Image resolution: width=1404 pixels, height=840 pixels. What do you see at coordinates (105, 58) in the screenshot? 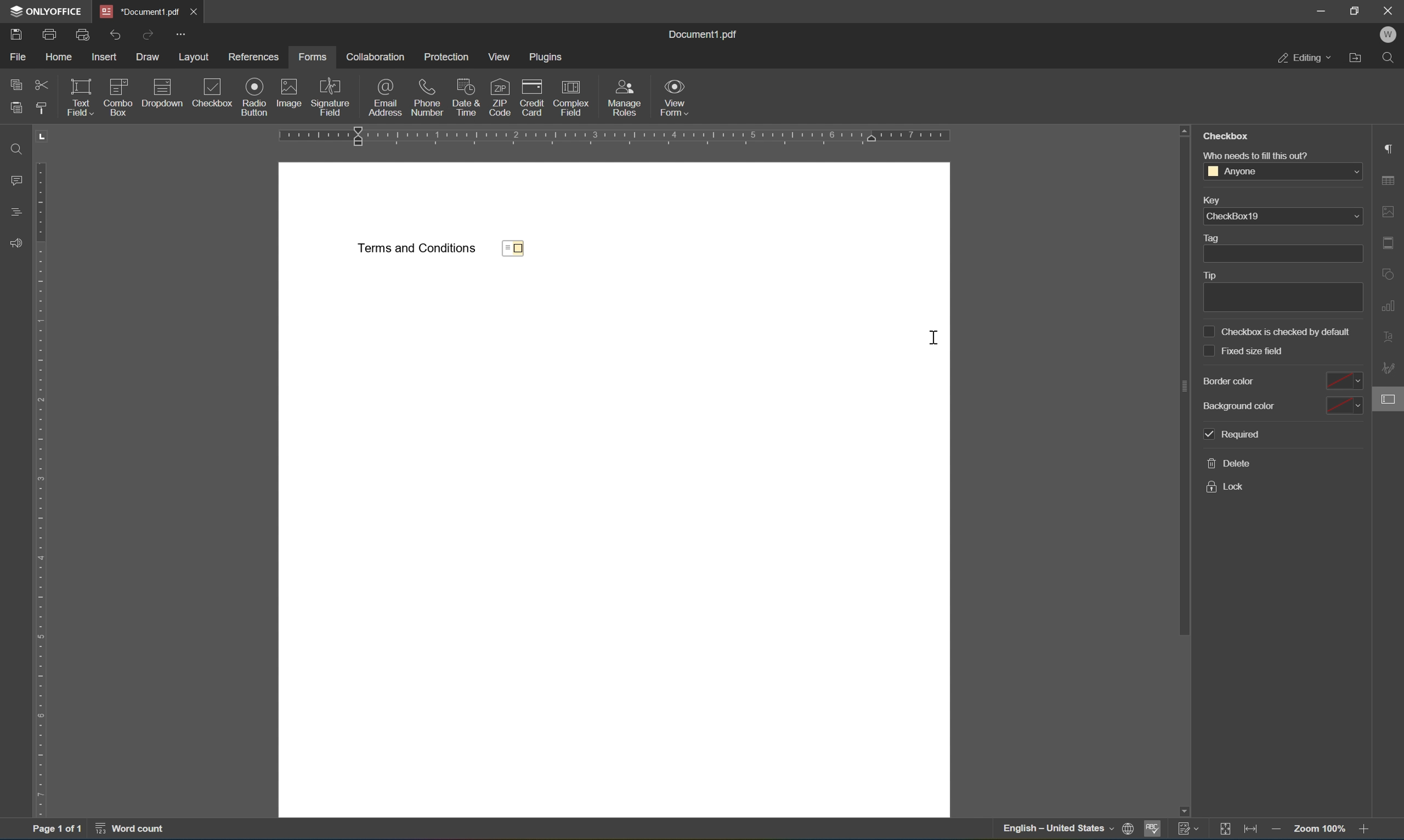
I see `insert` at bounding box center [105, 58].